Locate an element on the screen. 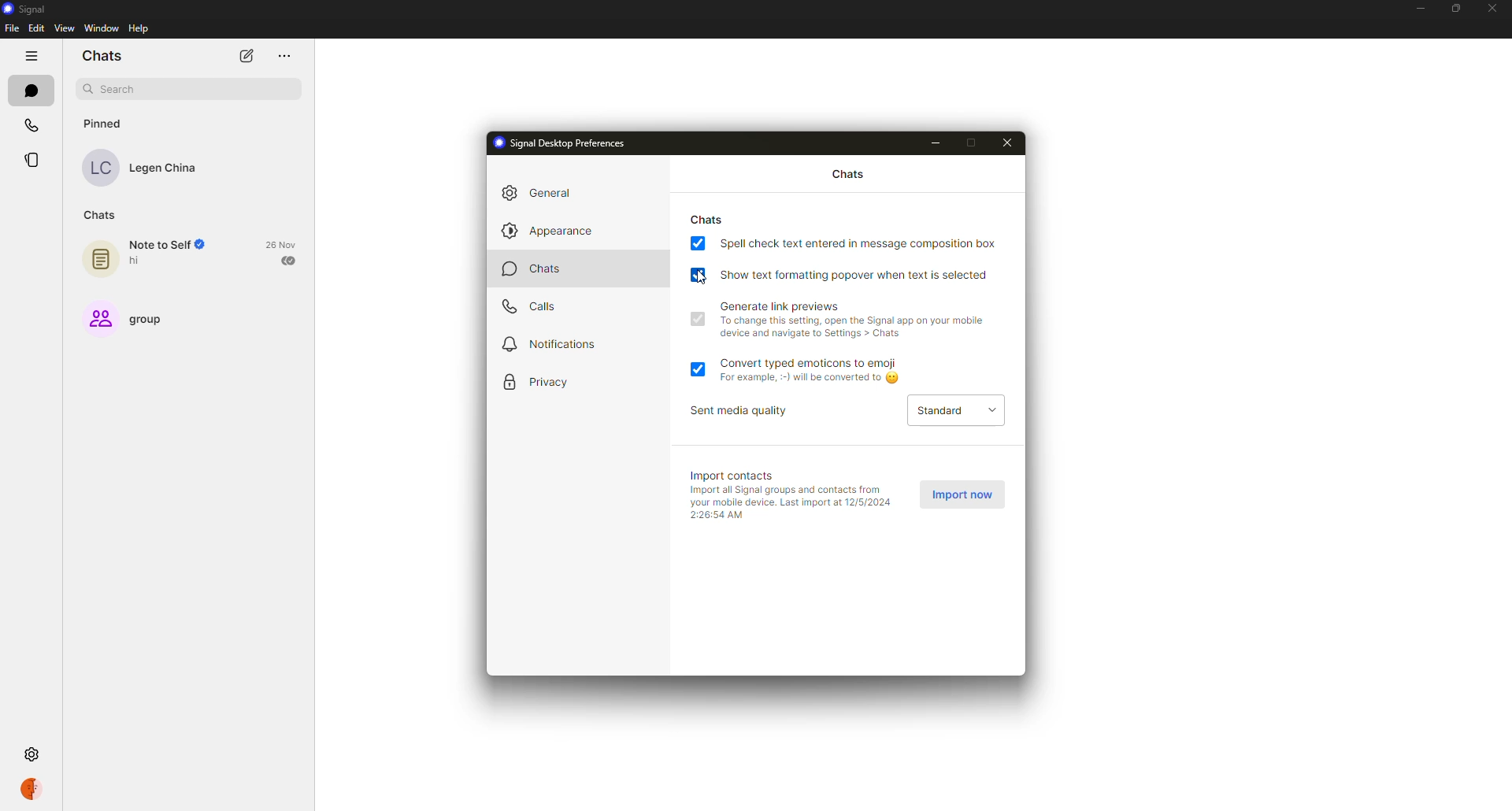  sent is located at coordinates (291, 260).